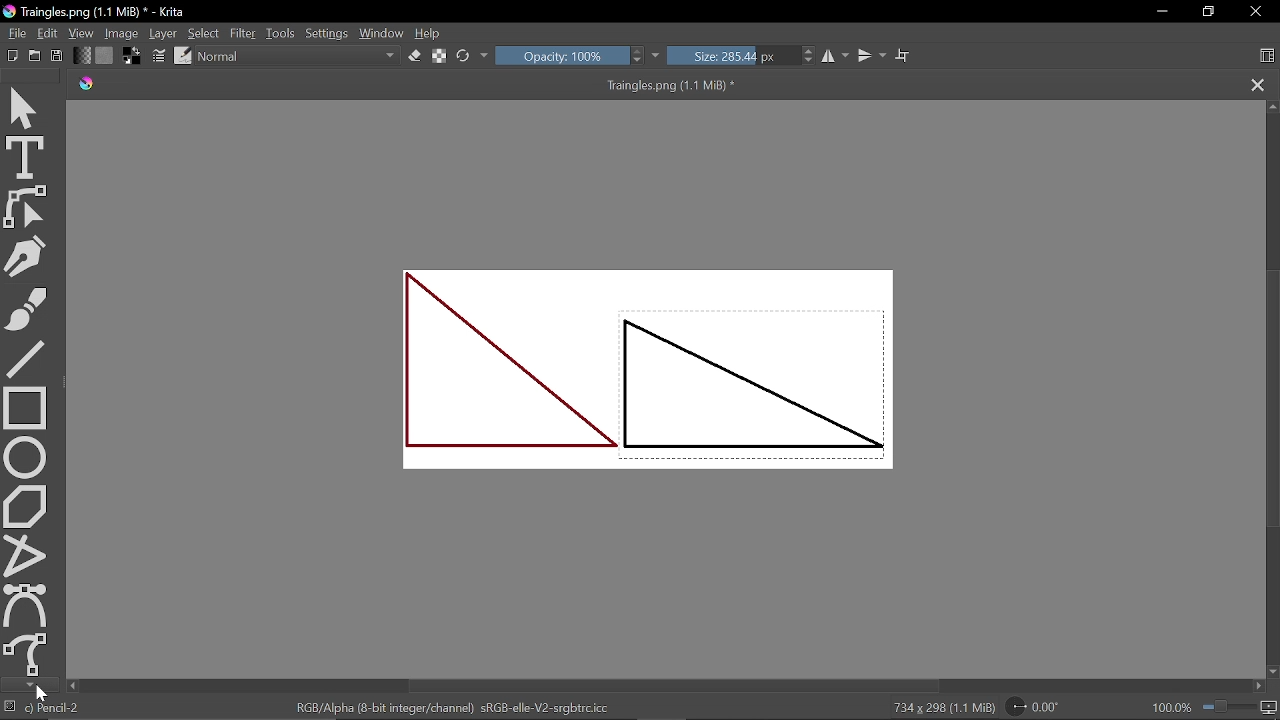 The height and width of the screenshot is (720, 1280). What do you see at coordinates (282, 33) in the screenshot?
I see `Tools` at bounding box center [282, 33].